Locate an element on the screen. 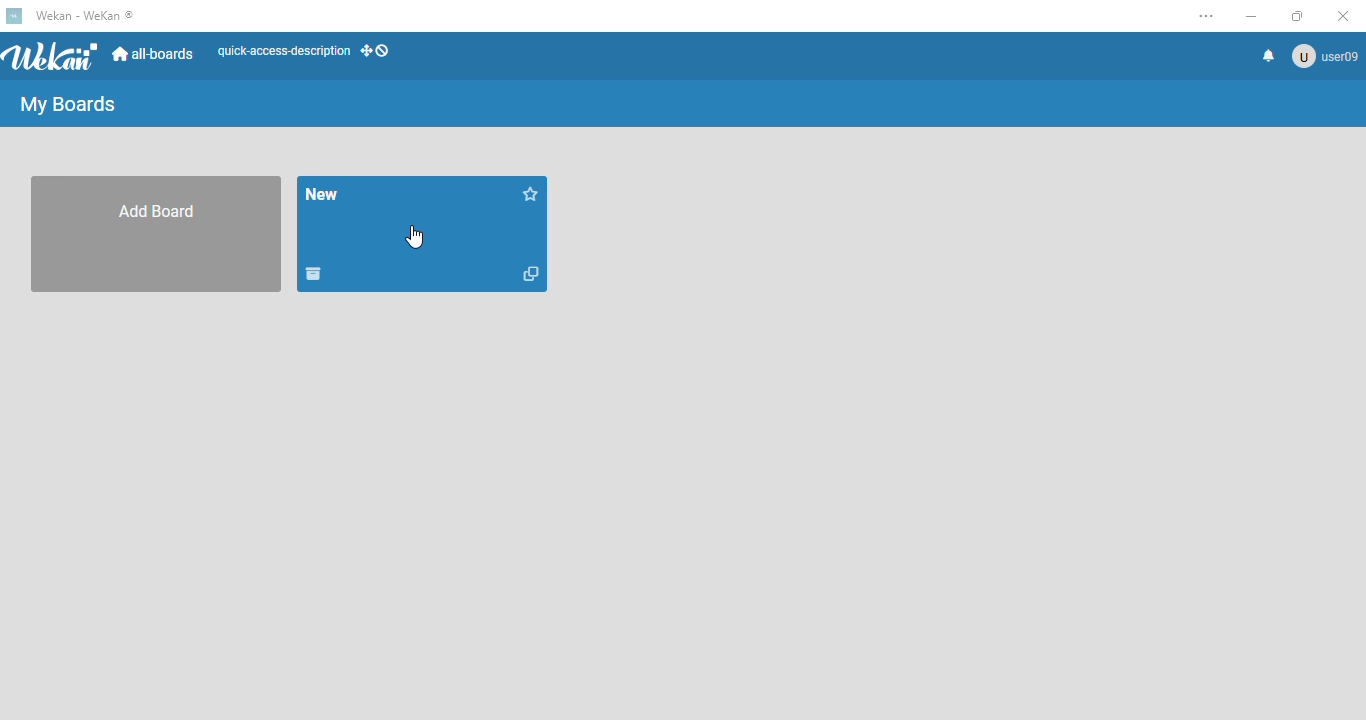 The height and width of the screenshot is (720, 1366). show-desktop-drag-handles is located at coordinates (377, 53).